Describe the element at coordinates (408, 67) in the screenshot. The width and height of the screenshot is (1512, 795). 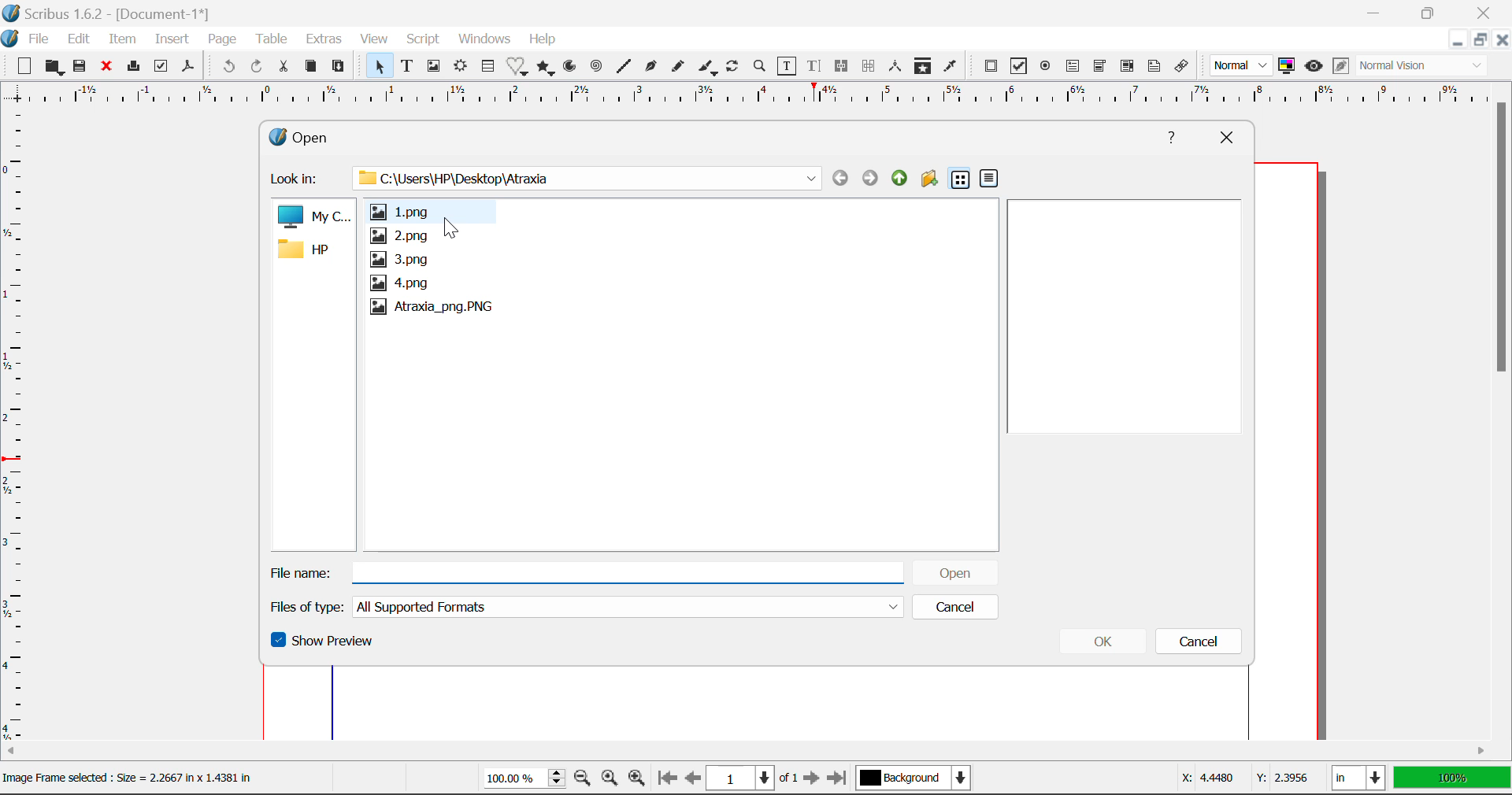
I see `Text Frames` at that location.